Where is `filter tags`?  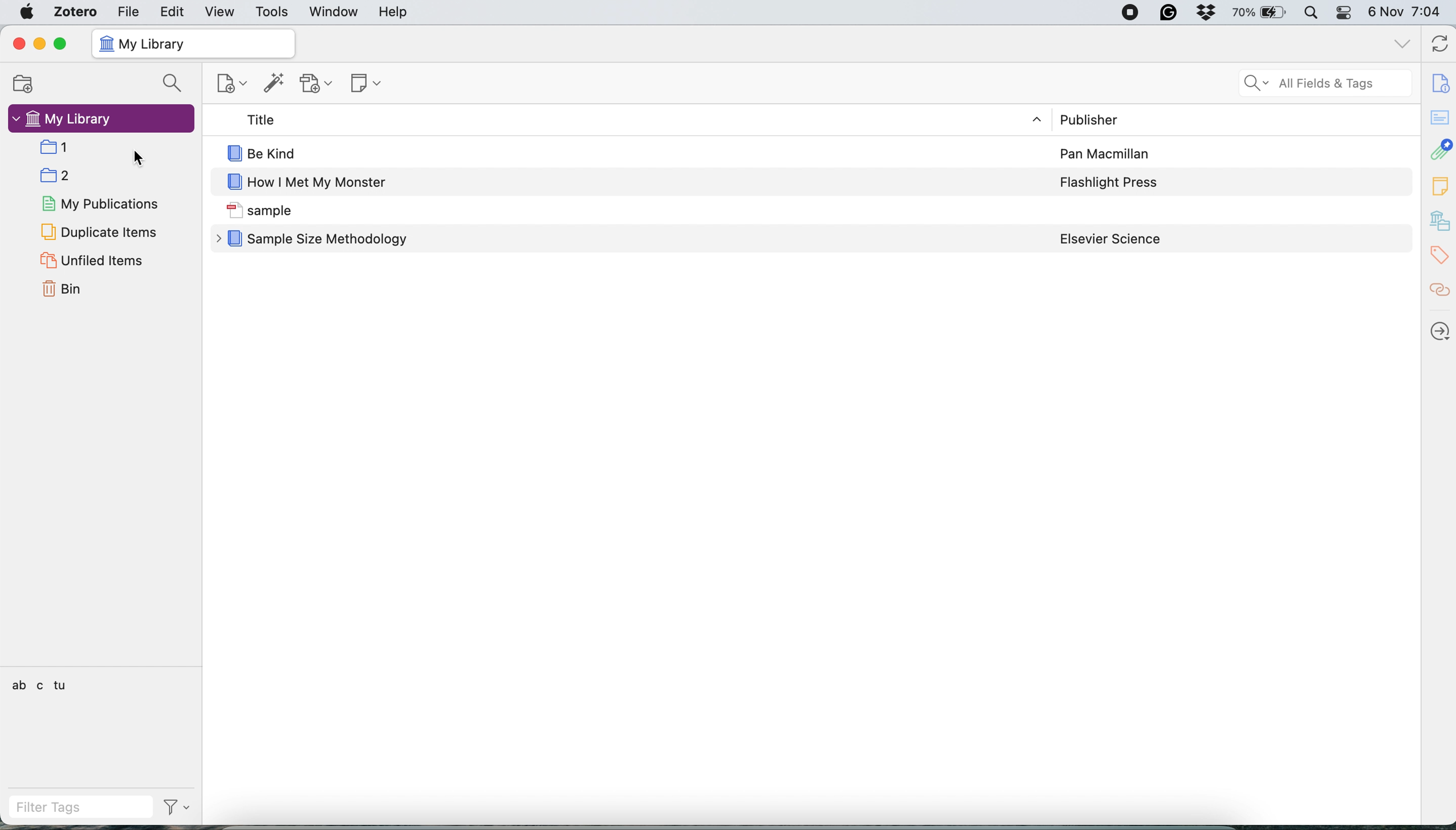
filter tags is located at coordinates (80, 805).